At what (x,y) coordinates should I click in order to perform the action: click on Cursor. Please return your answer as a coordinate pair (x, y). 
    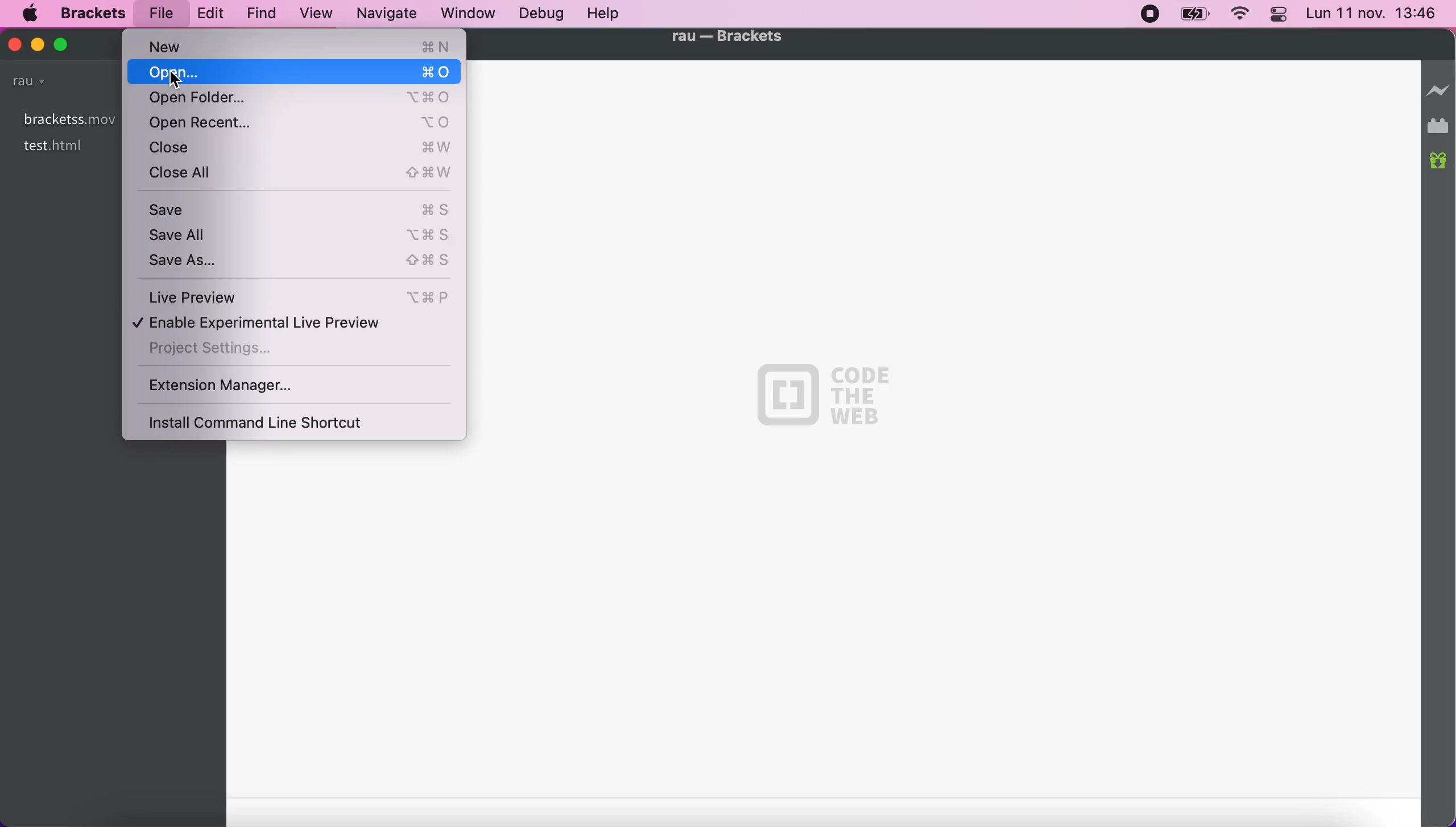
    Looking at the image, I should click on (170, 77).